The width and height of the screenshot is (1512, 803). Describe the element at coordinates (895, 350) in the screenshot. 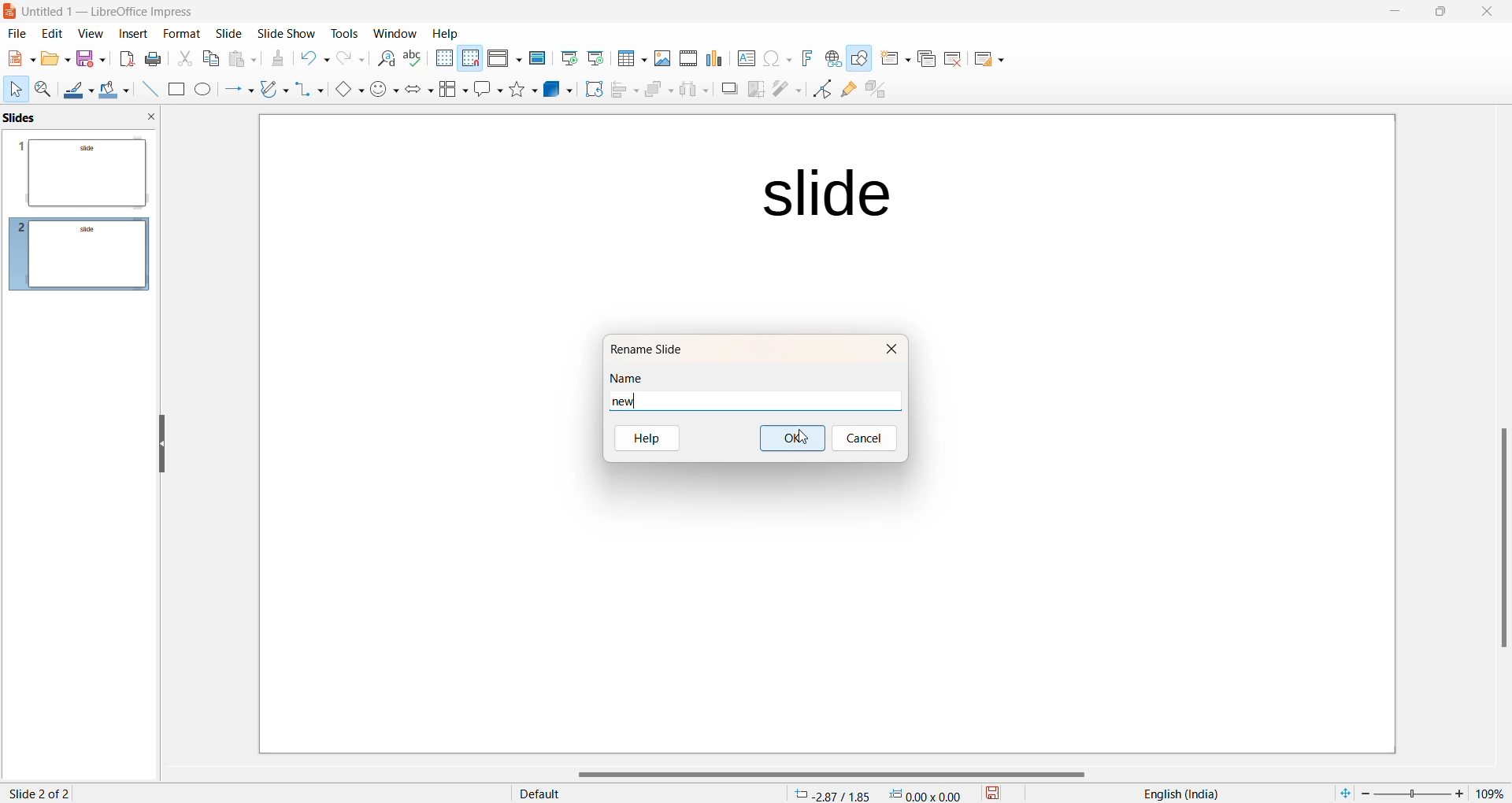

I see `close` at that location.